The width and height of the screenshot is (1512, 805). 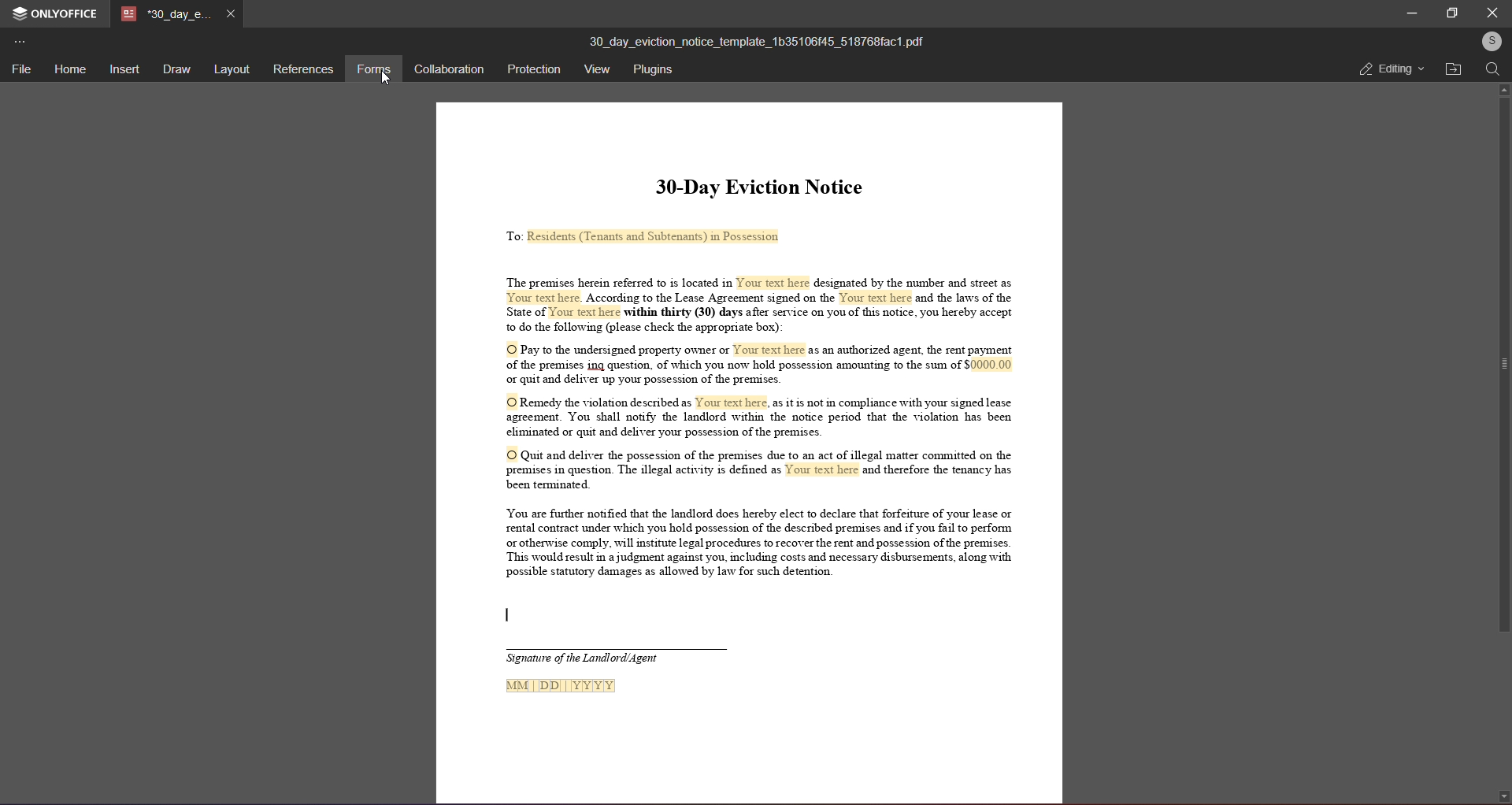 What do you see at coordinates (510, 614) in the screenshot?
I see `Text cursor` at bounding box center [510, 614].